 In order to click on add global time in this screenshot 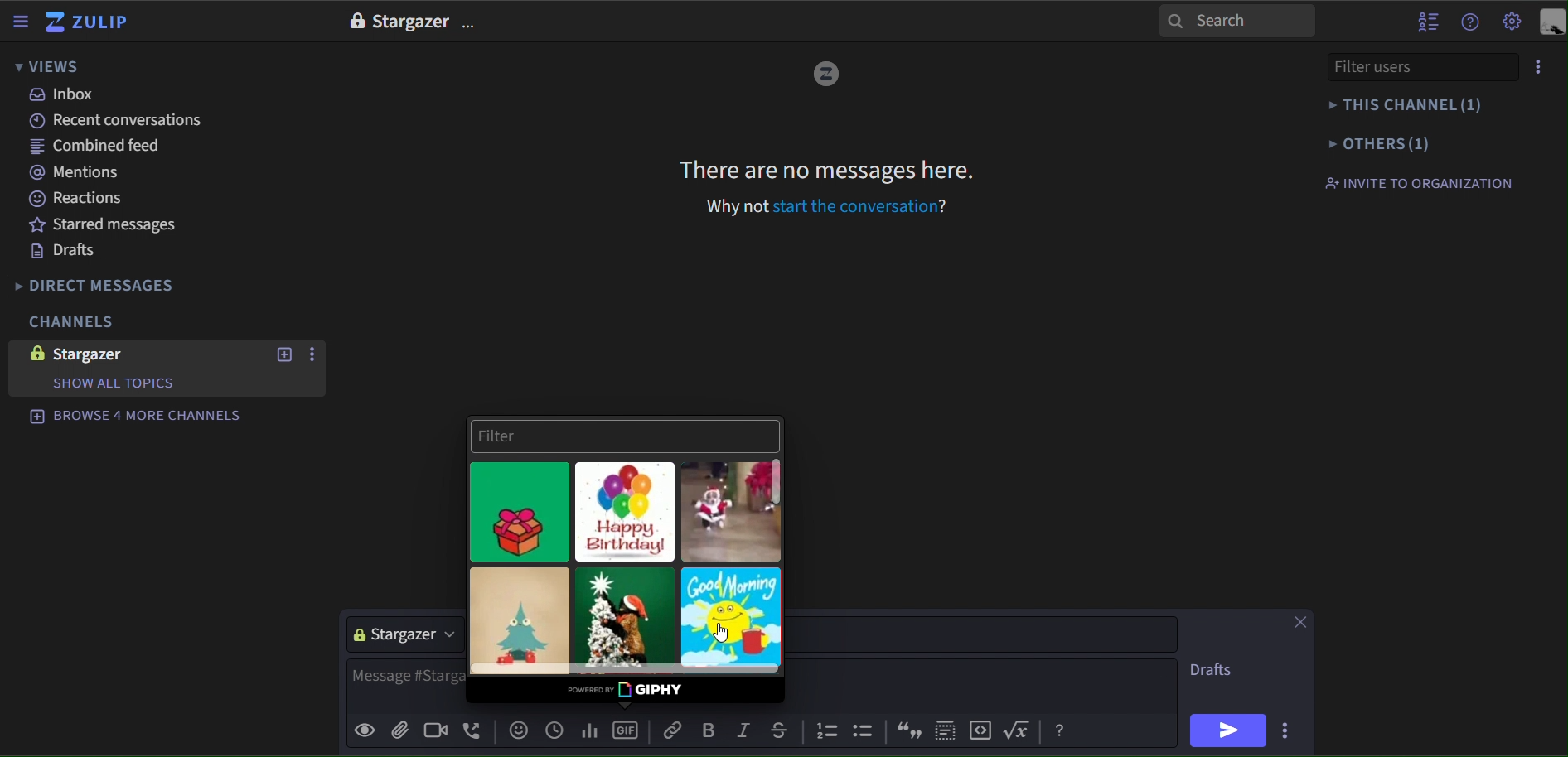, I will do `click(554, 730)`.